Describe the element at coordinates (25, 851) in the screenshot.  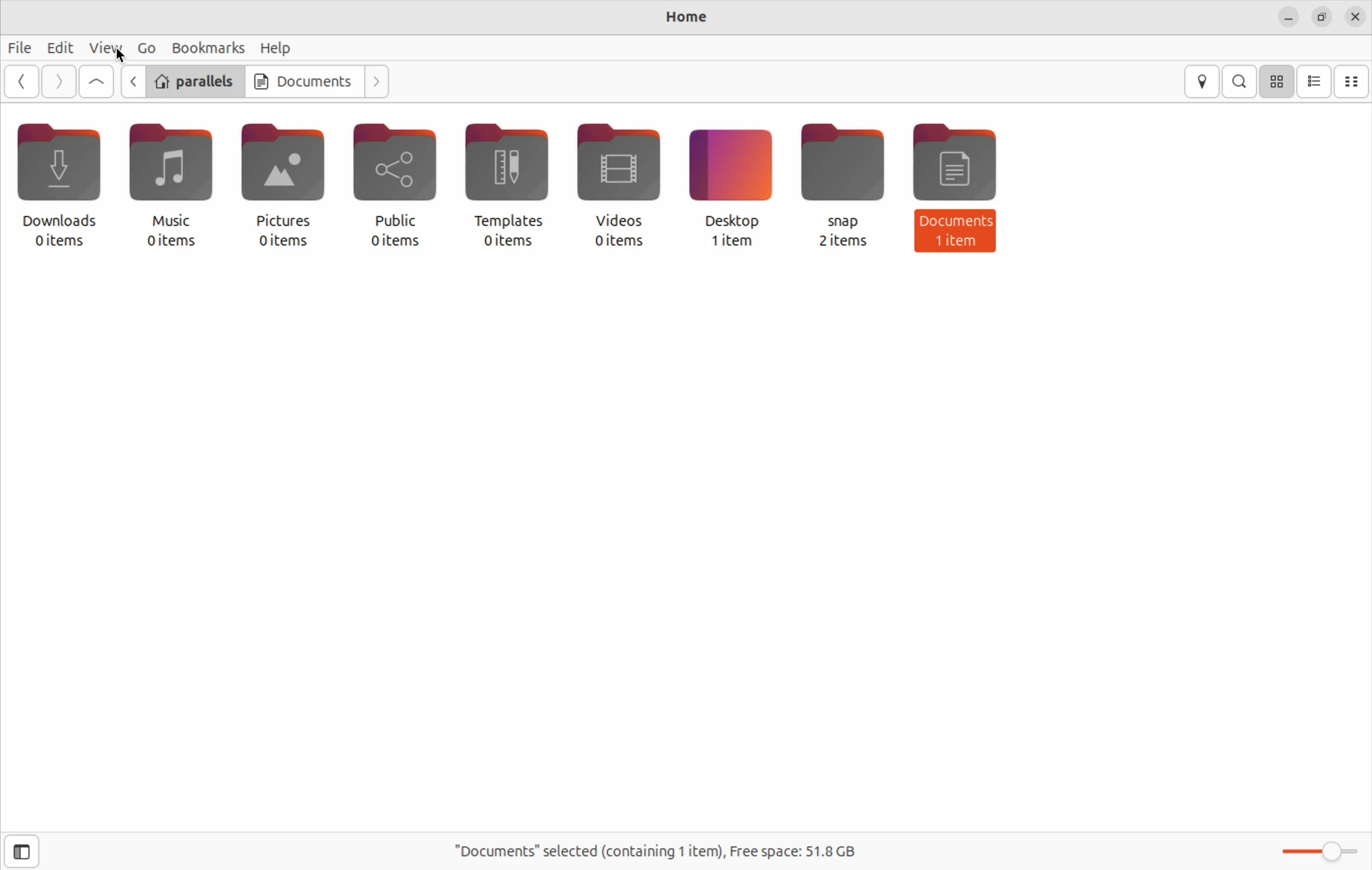
I see `side bar` at that location.